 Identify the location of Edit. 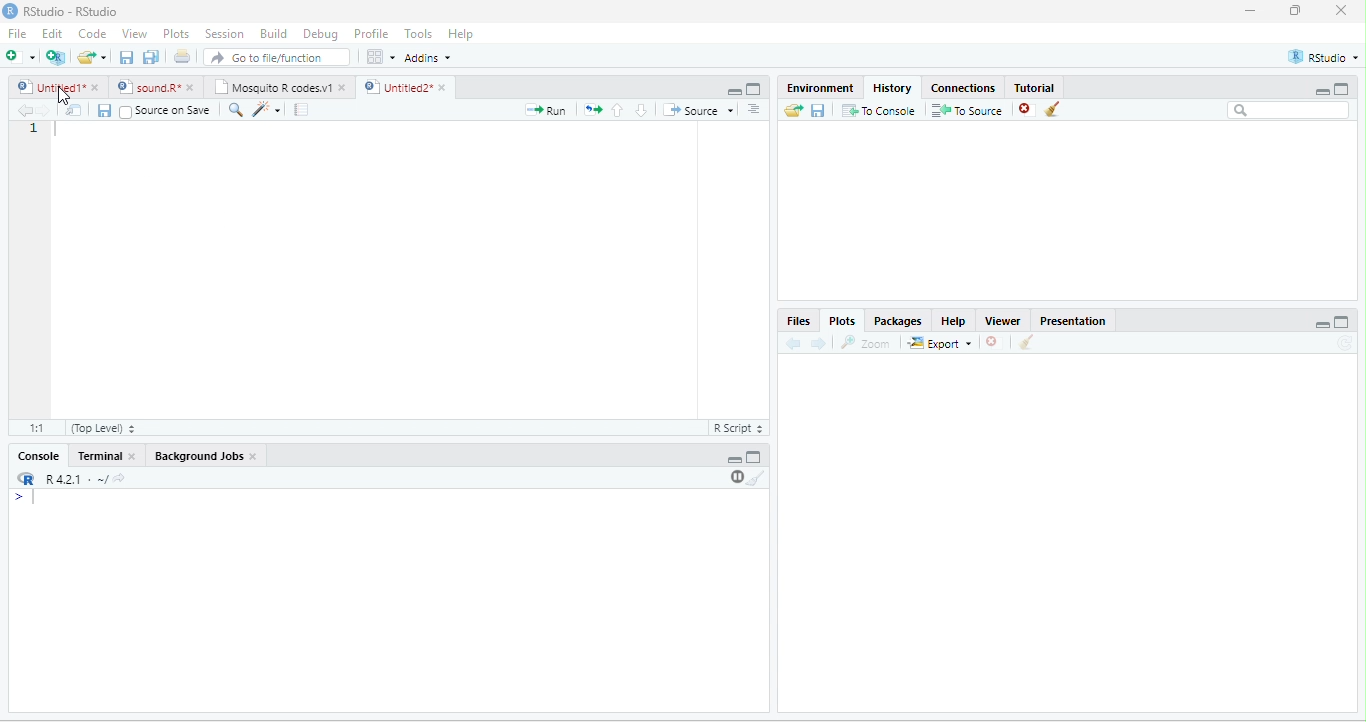
(52, 32).